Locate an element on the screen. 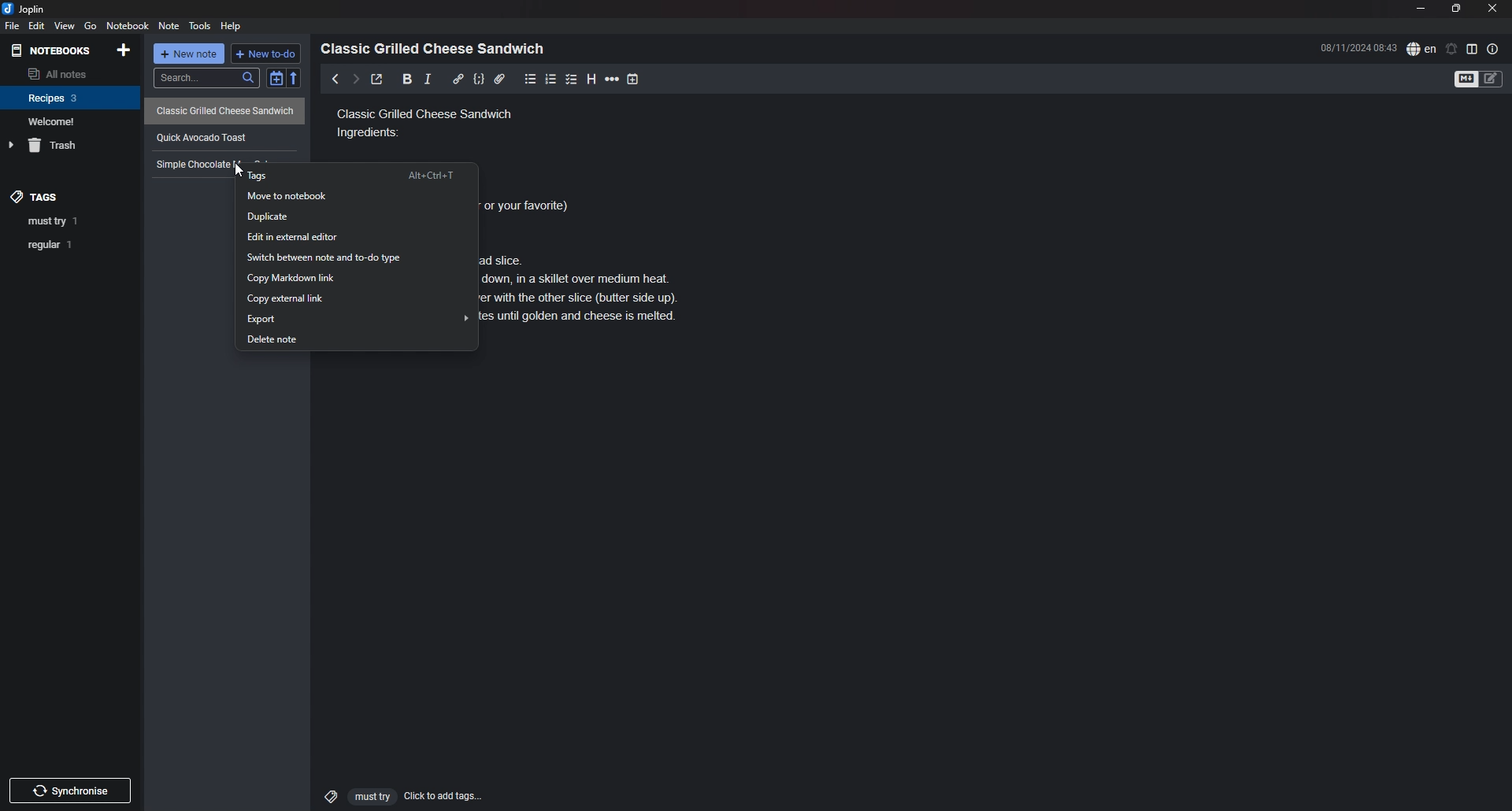  Edit in external editor is located at coordinates (357, 238).